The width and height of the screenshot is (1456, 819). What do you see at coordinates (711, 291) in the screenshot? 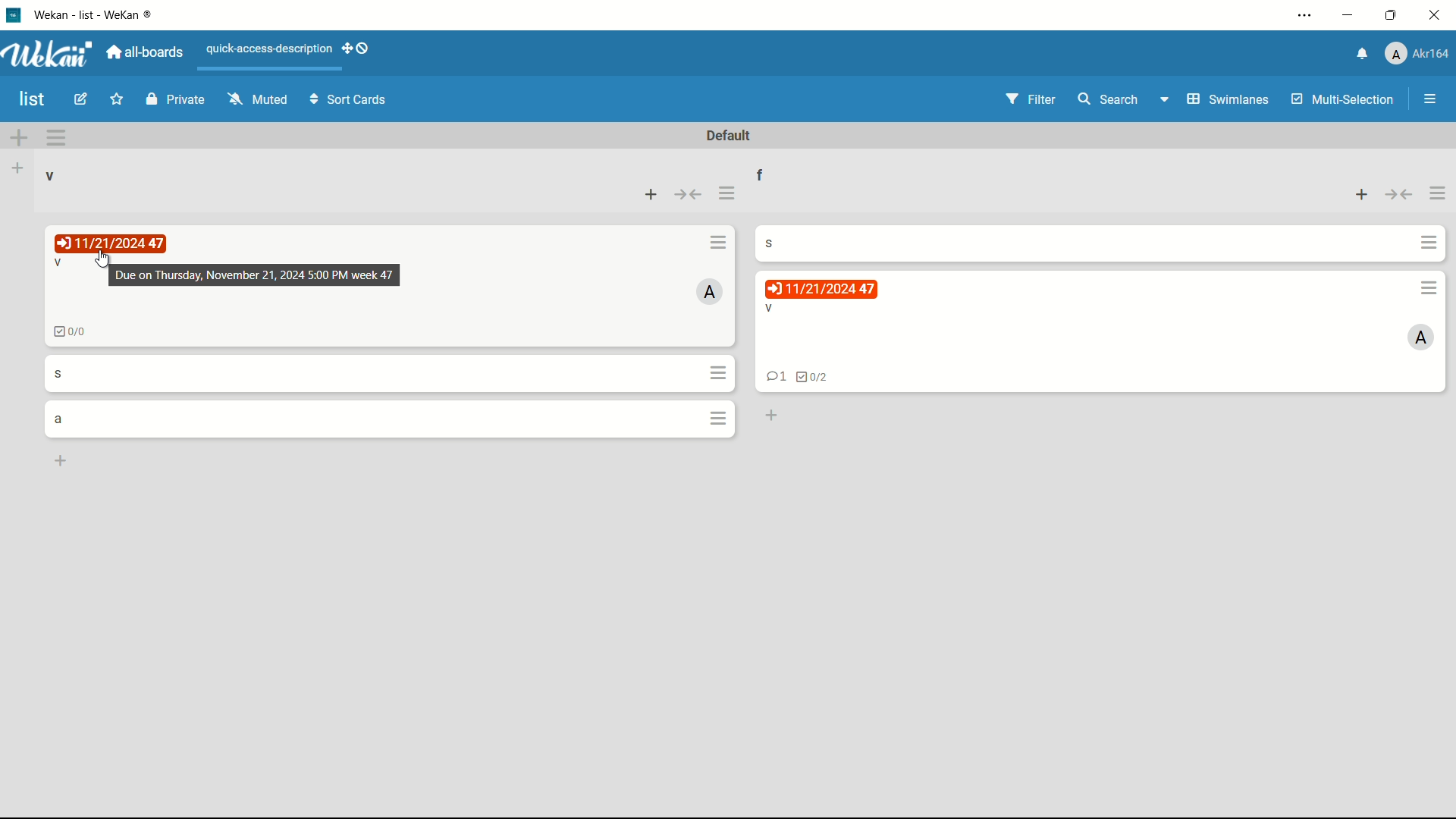
I see `admin` at bounding box center [711, 291].